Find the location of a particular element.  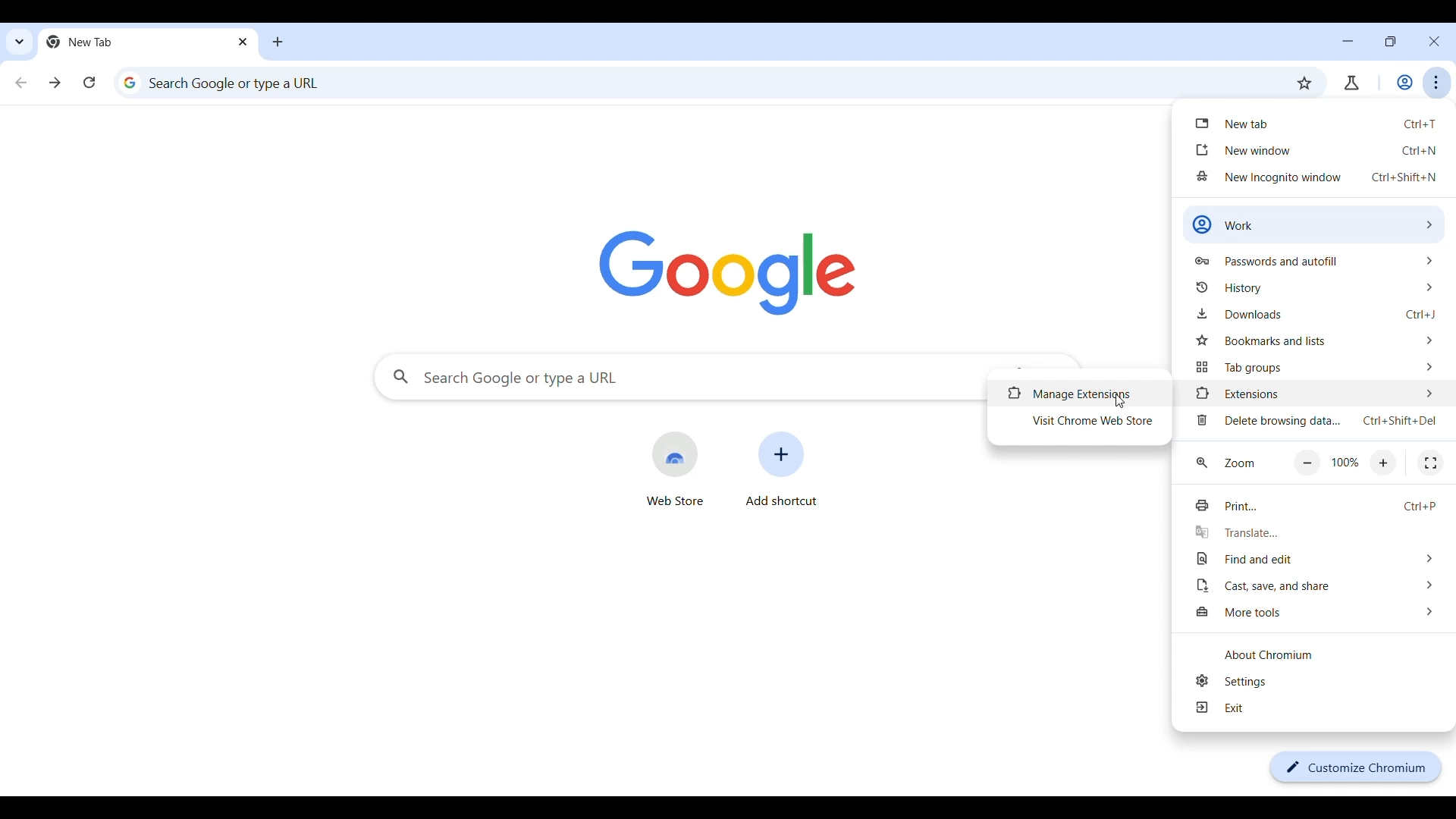

Customize Chromium is located at coordinates (1356, 767).